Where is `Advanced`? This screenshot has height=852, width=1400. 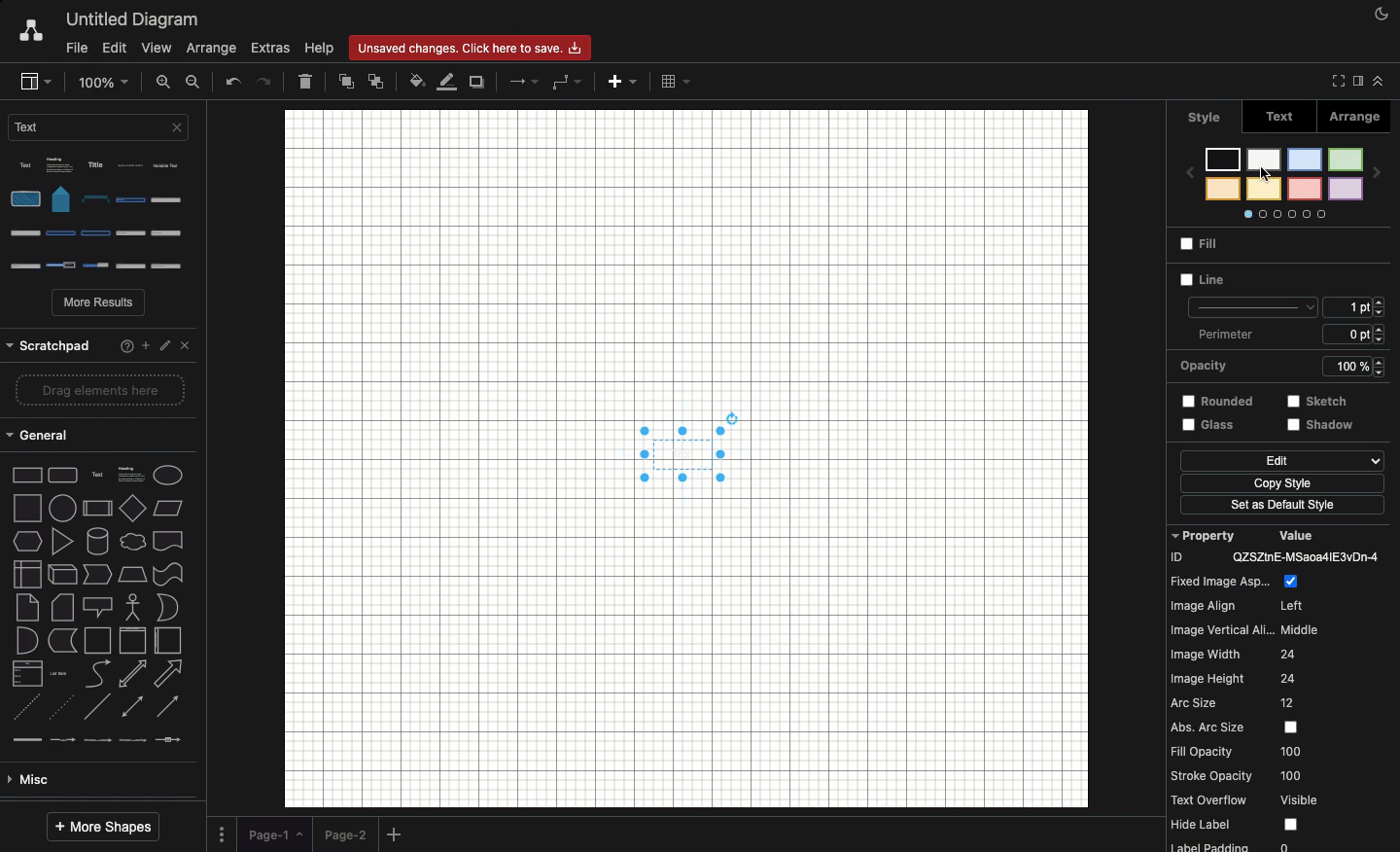 Advanced is located at coordinates (94, 639).